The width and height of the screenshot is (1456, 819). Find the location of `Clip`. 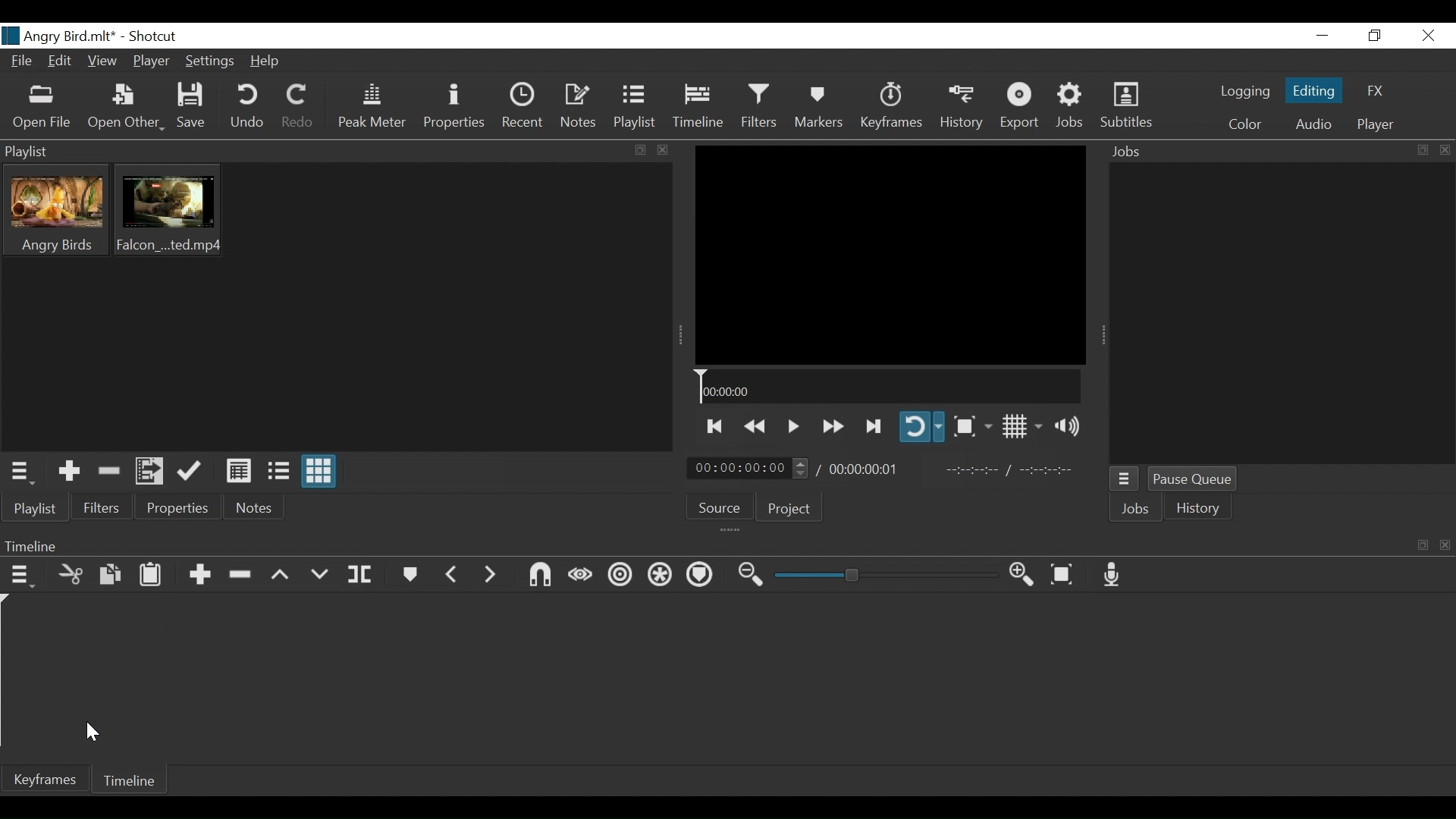

Clip is located at coordinates (169, 212).